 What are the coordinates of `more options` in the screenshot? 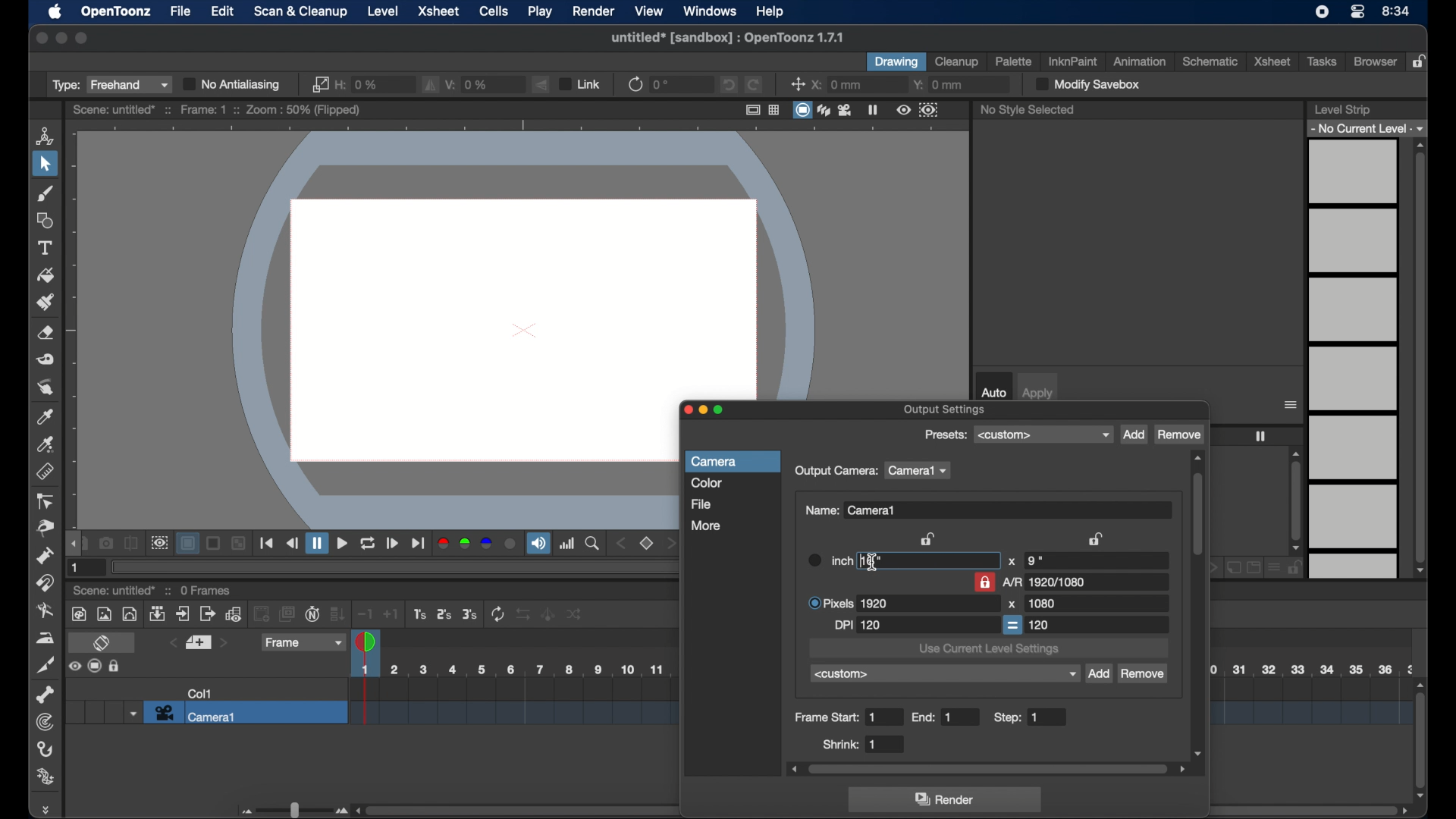 It's located at (1291, 405).